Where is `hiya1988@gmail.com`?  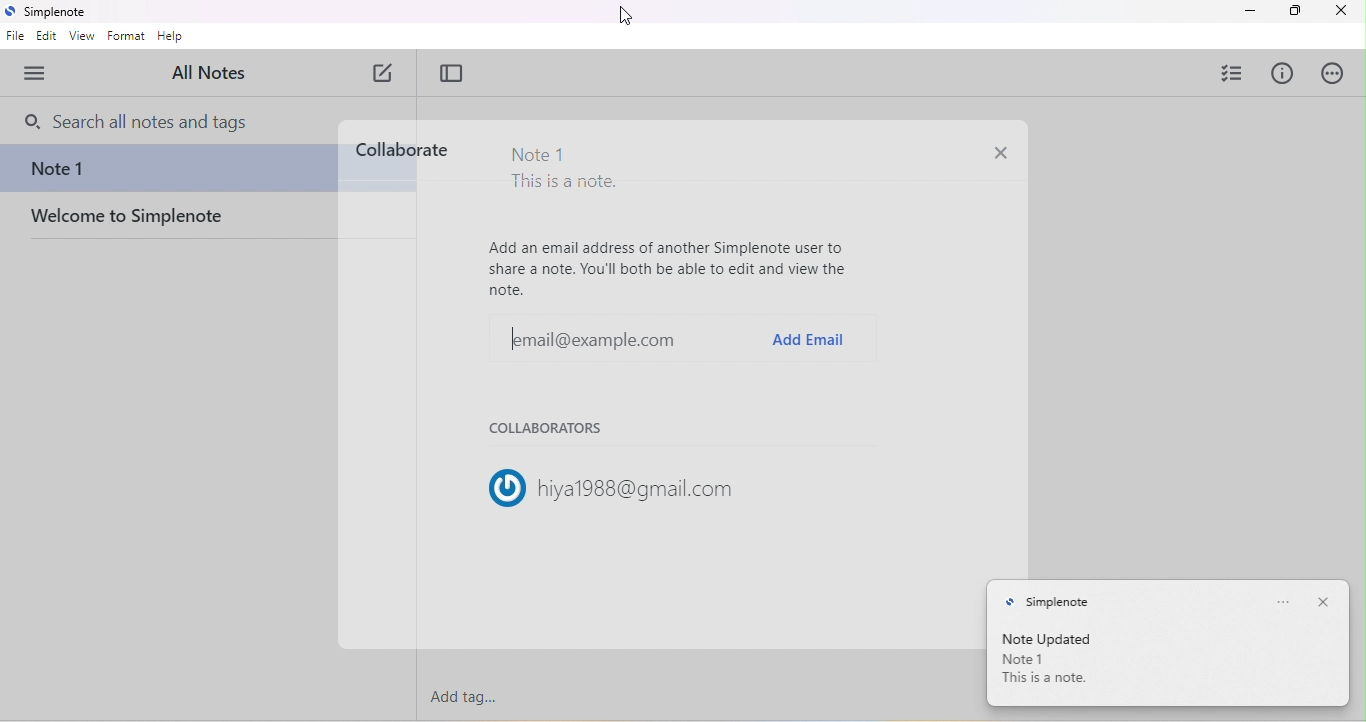 hiya1988@gmail.com is located at coordinates (640, 489).